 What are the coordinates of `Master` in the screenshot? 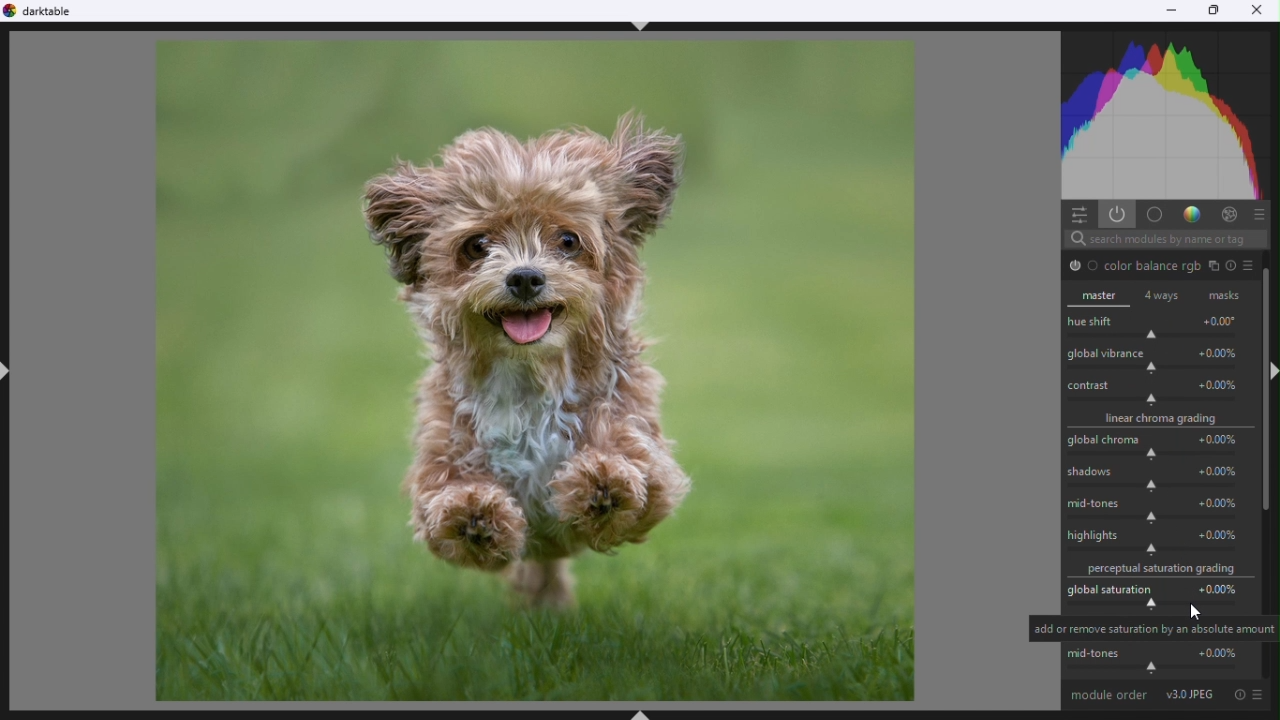 It's located at (1100, 298).